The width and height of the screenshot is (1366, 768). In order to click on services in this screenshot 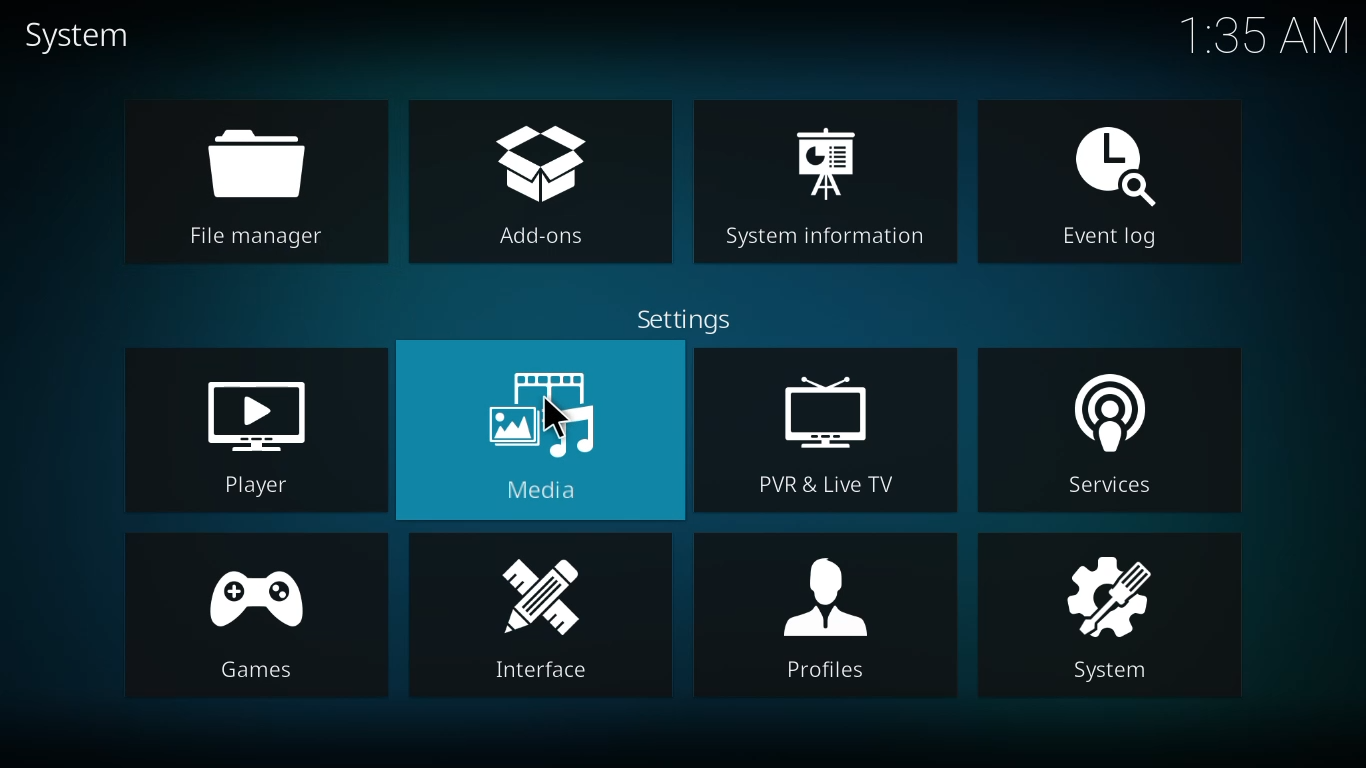, I will do `click(1114, 437)`.